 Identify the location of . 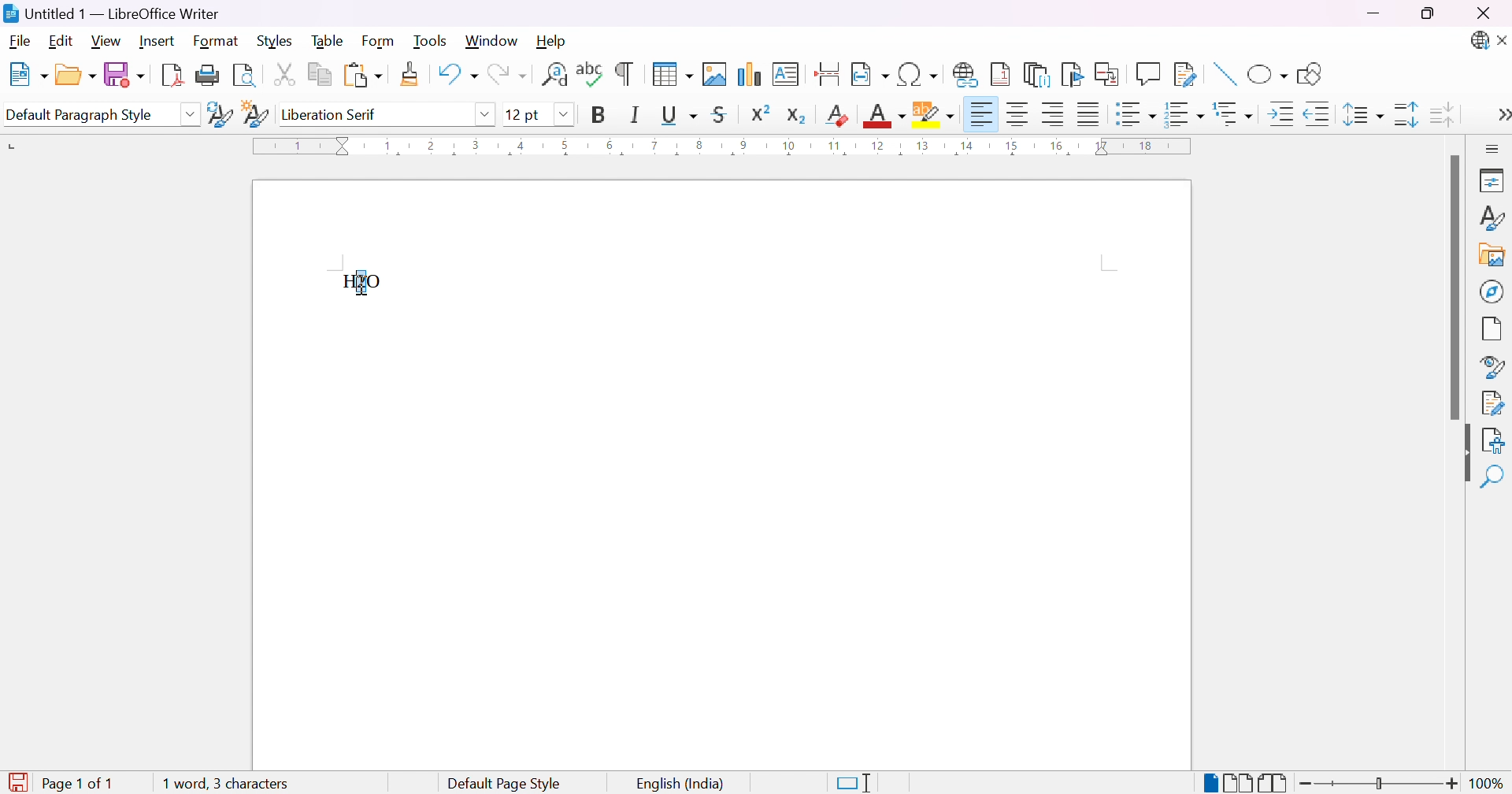
(556, 76).